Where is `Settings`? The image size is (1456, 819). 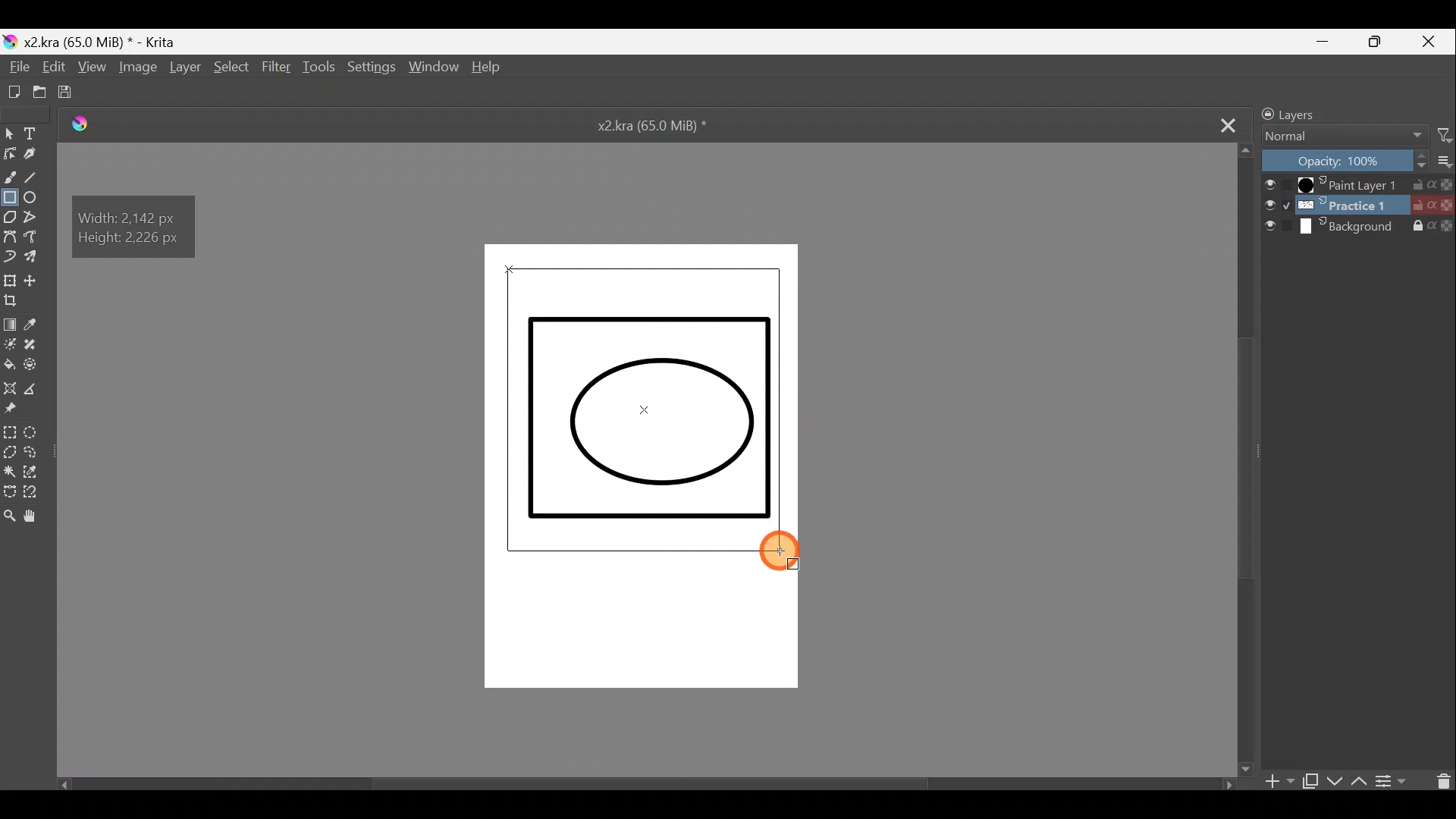
Settings is located at coordinates (371, 69).